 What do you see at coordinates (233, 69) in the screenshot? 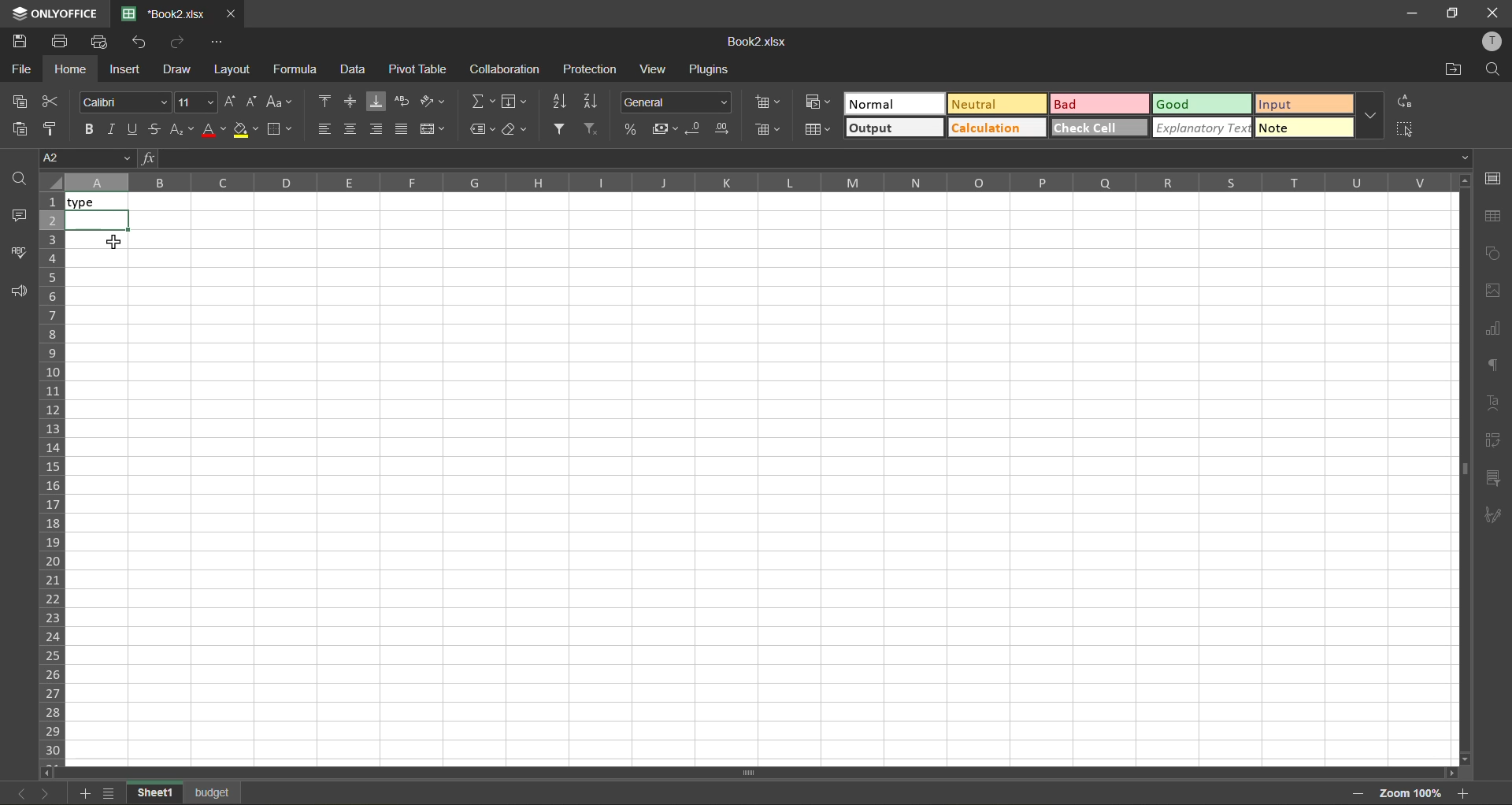
I see `layout` at bounding box center [233, 69].